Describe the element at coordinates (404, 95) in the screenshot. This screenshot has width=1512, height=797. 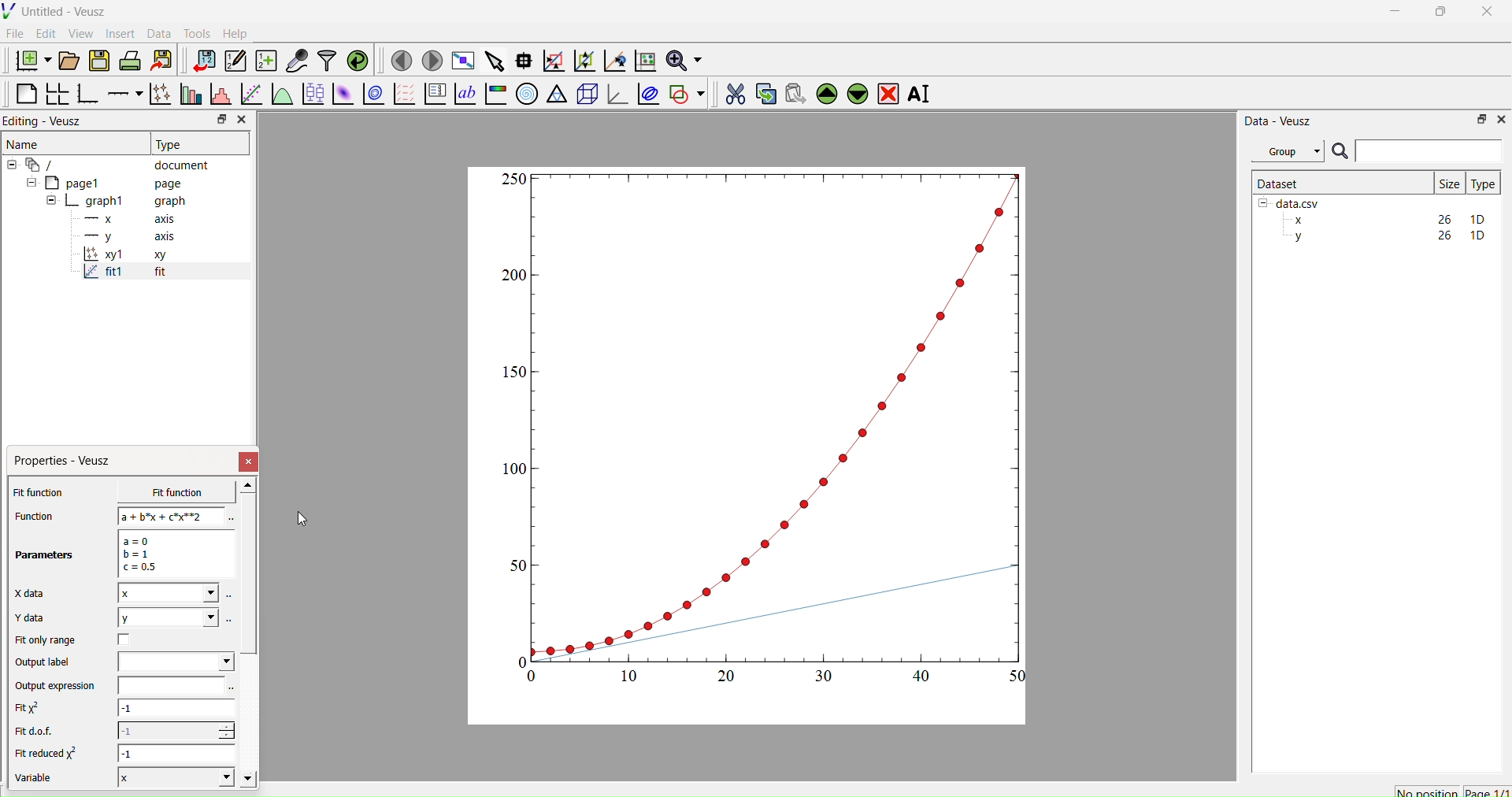
I see `Plot Vector Field` at that location.